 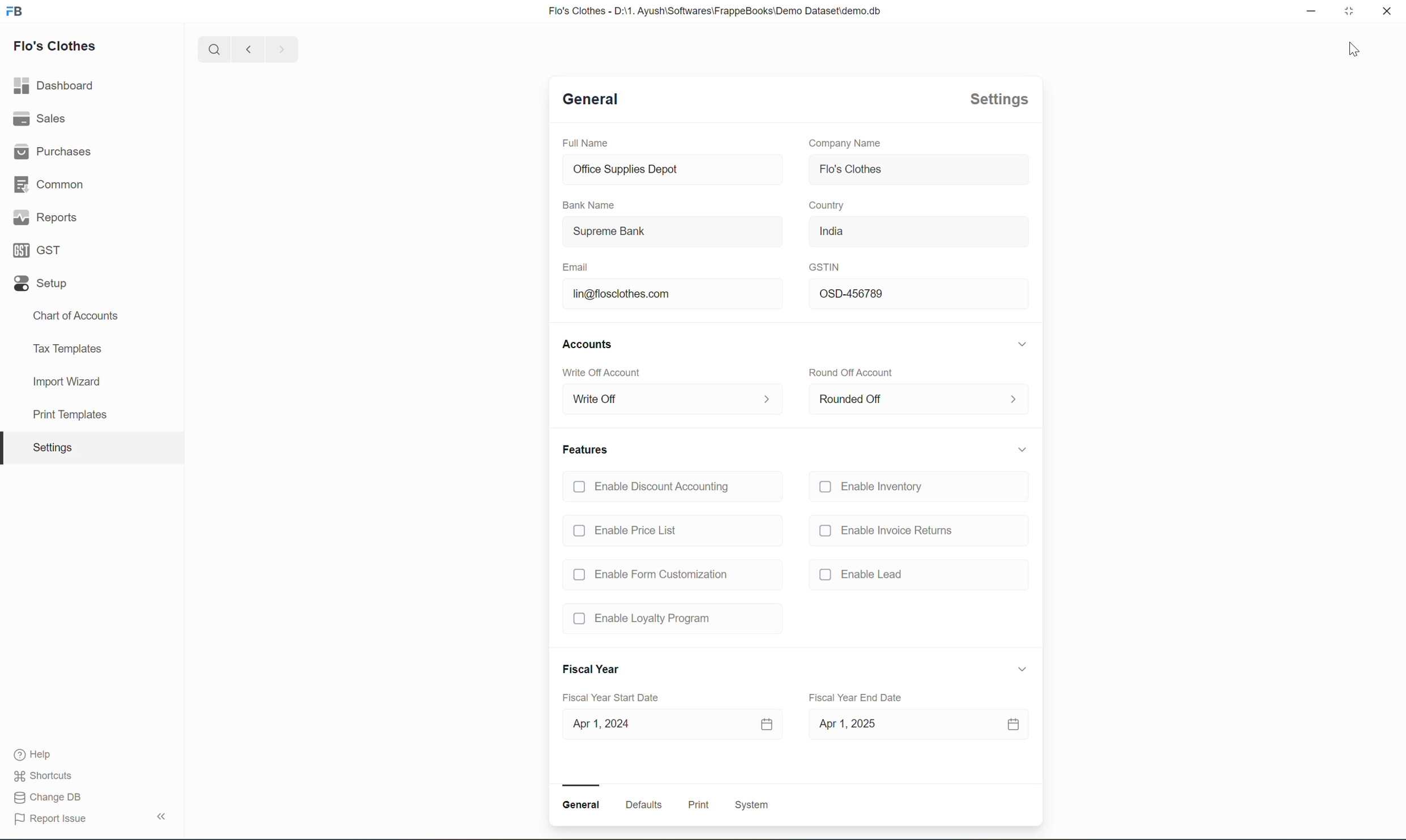 What do you see at coordinates (576, 267) in the screenshot?
I see `Email` at bounding box center [576, 267].